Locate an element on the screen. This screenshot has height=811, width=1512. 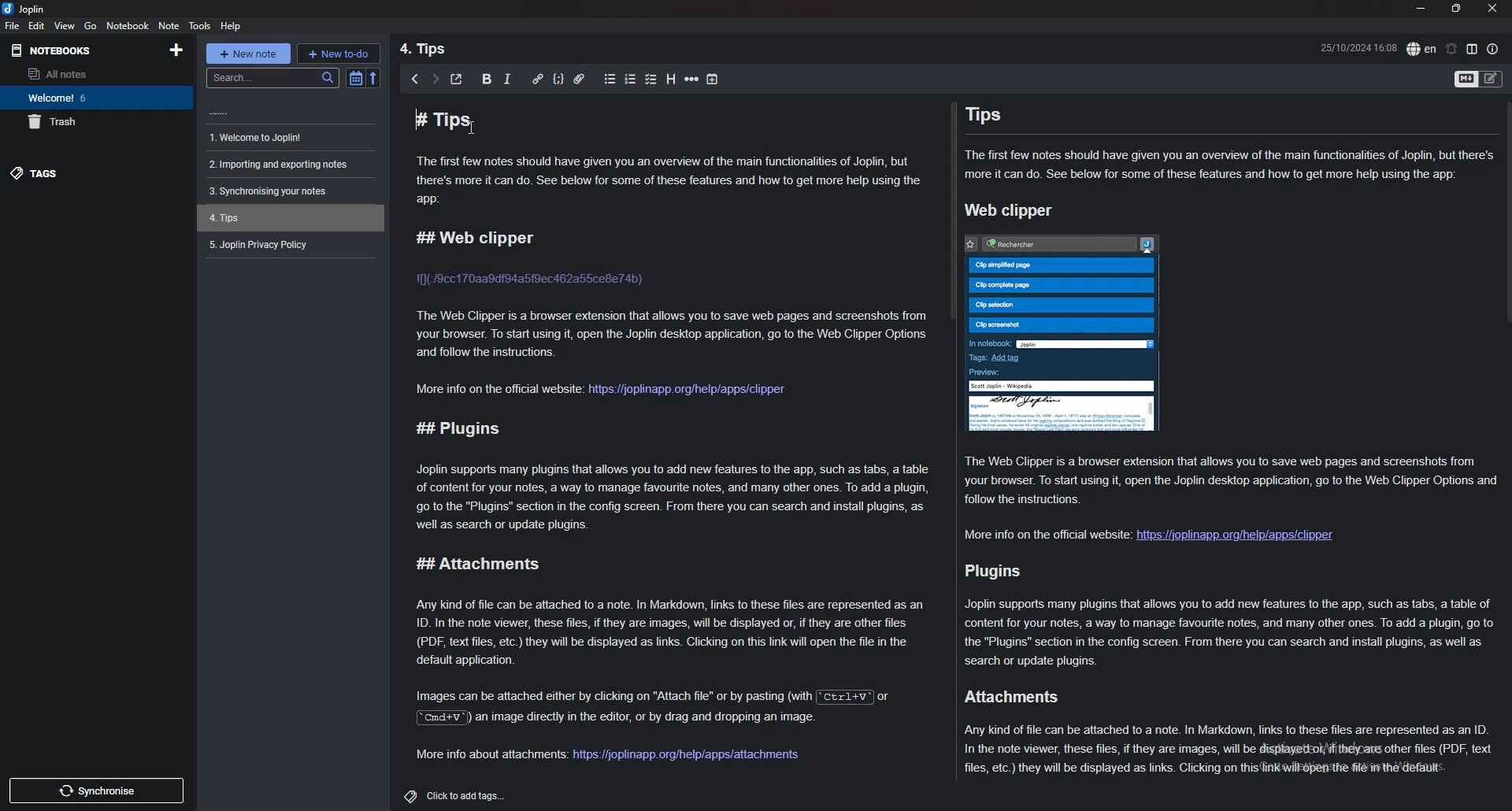
edit is located at coordinates (36, 24).